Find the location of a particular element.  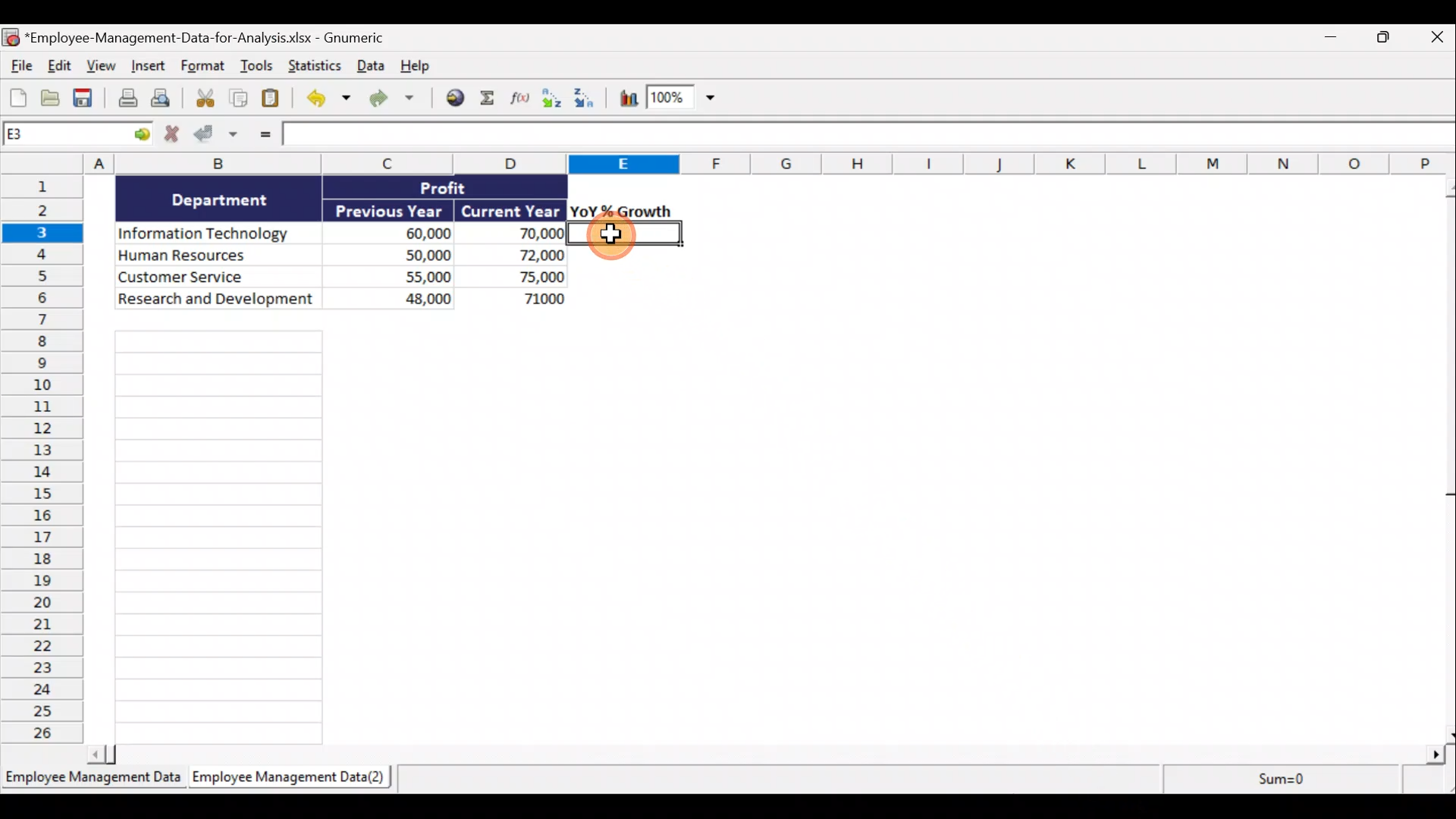

Undo last action is located at coordinates (325, 99).